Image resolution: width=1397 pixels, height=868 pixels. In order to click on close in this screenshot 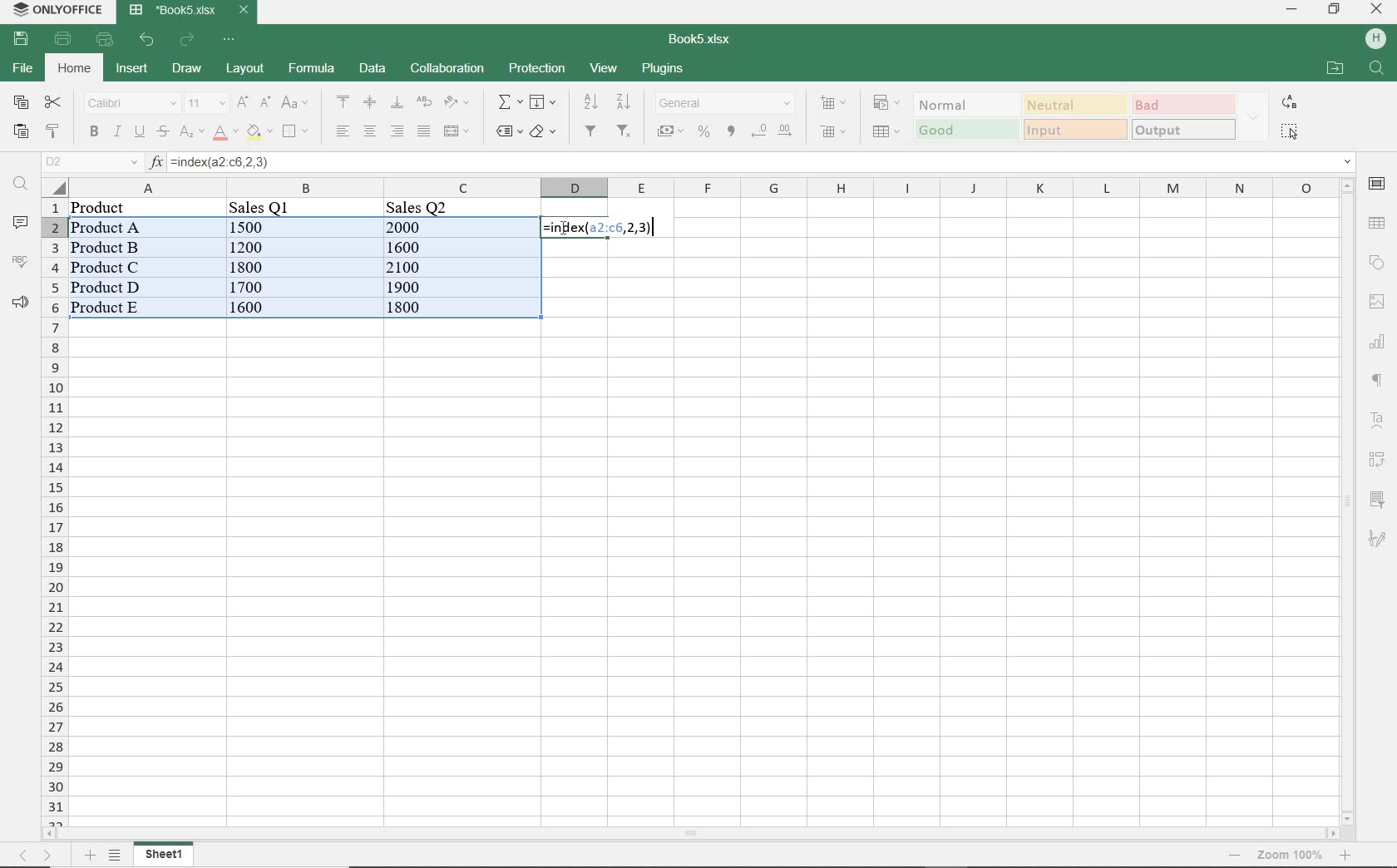, I will do `click(1379, 8)`.